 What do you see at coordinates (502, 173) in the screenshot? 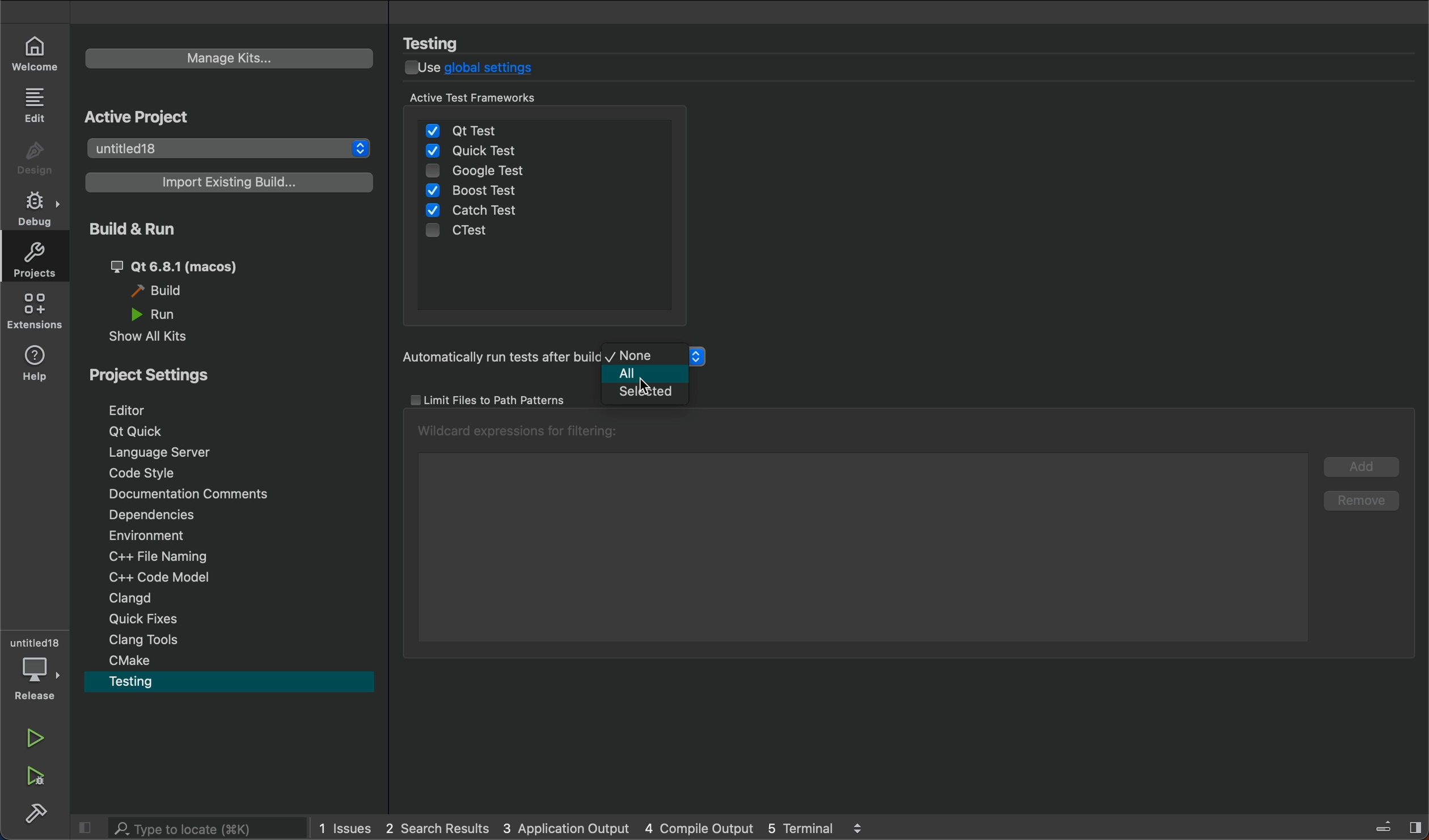
I see `google test` at bounding box center [502, 173].